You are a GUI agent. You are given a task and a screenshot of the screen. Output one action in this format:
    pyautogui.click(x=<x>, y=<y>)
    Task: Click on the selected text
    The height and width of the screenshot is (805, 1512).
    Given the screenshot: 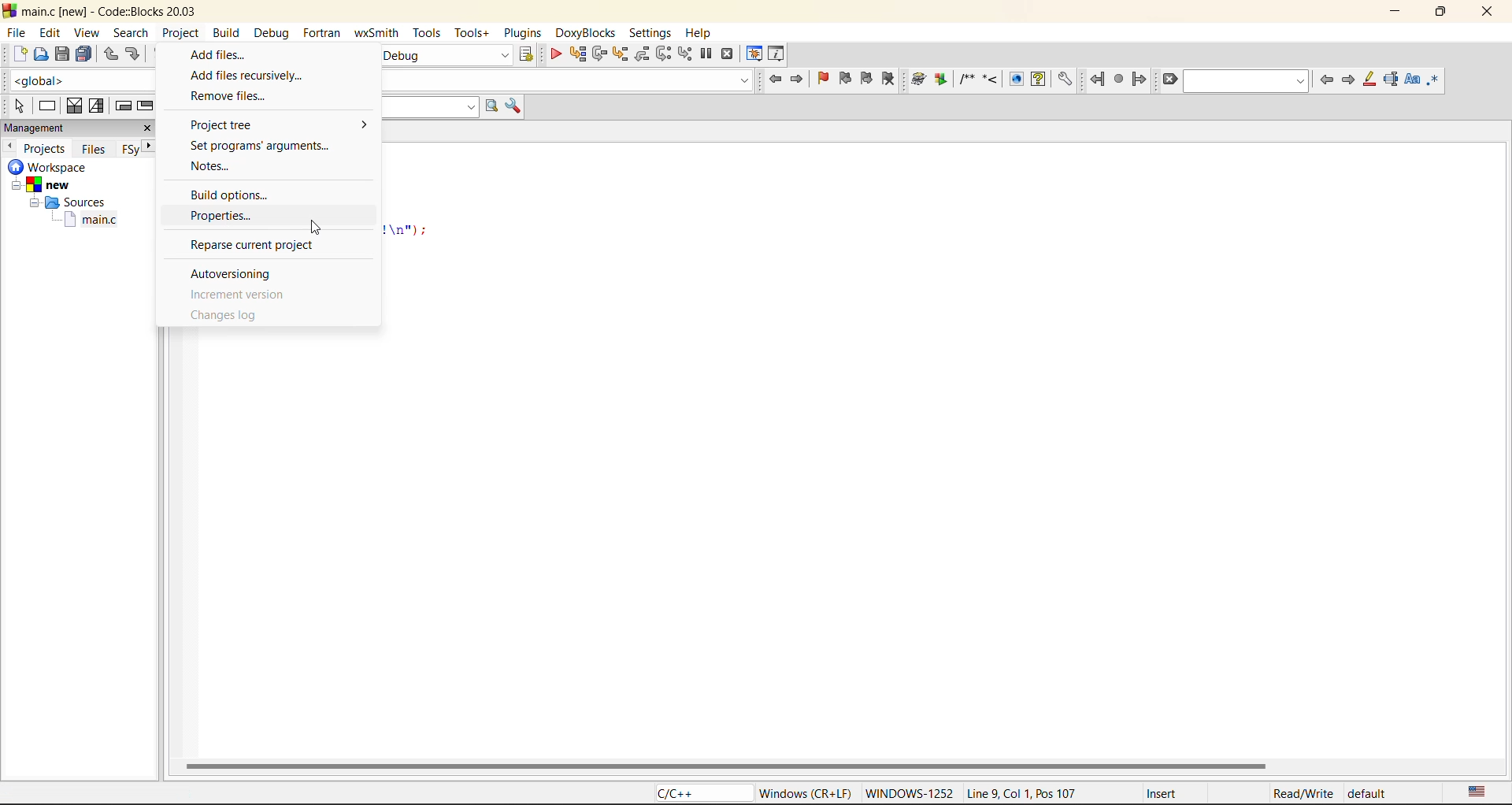 What is the action you would take?
    pyautogui.click(x=1392, y=80)
    